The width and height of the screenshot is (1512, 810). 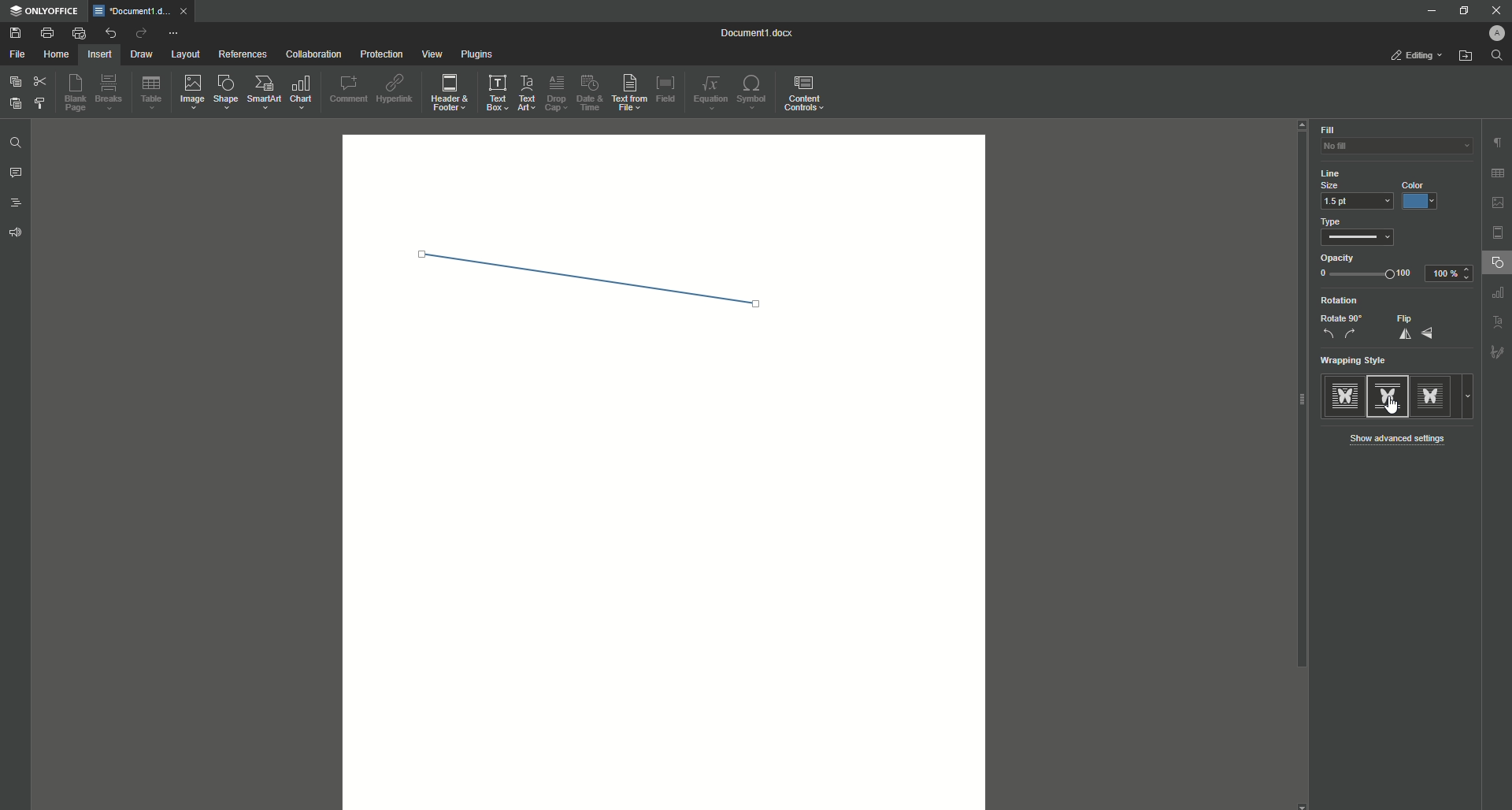 What do you see at coordinates (806, 94) in the screenshot?
I see `Content Controls` at bounding box center [806, 94].